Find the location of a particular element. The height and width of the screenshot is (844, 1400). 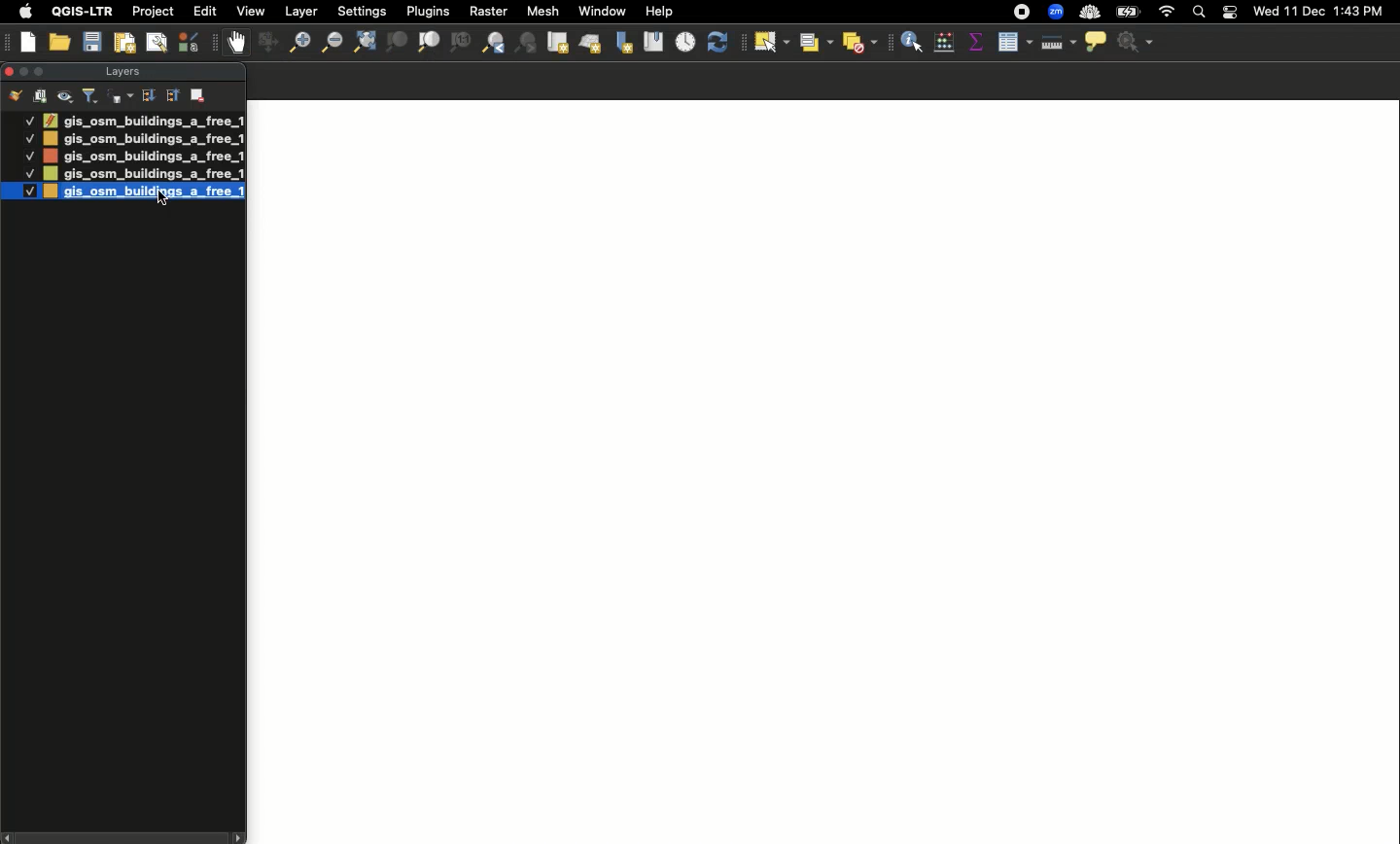

 is located at coordinates (217, 42).